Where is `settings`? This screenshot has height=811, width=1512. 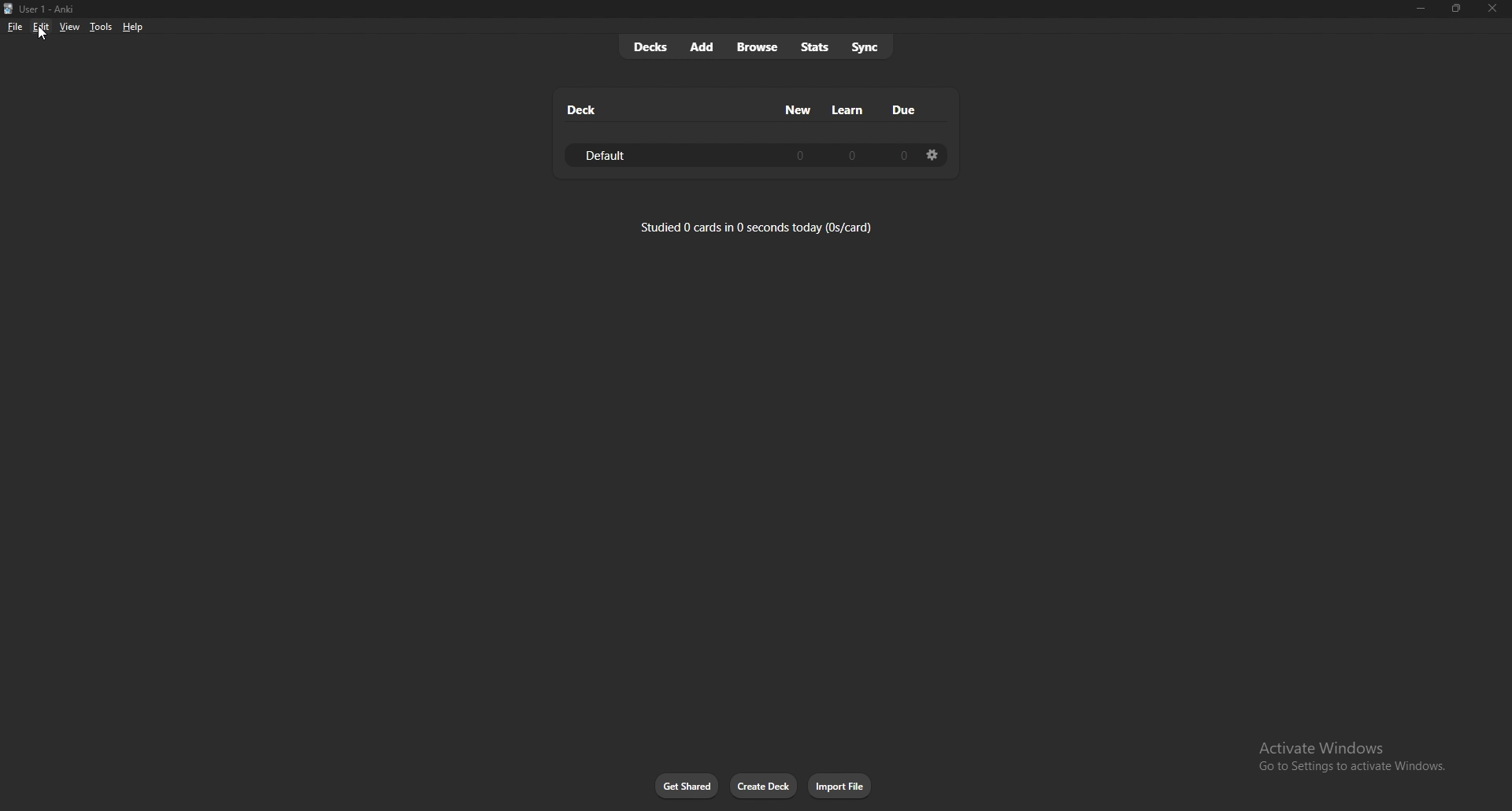
settings is located at coordinates (933, 154).